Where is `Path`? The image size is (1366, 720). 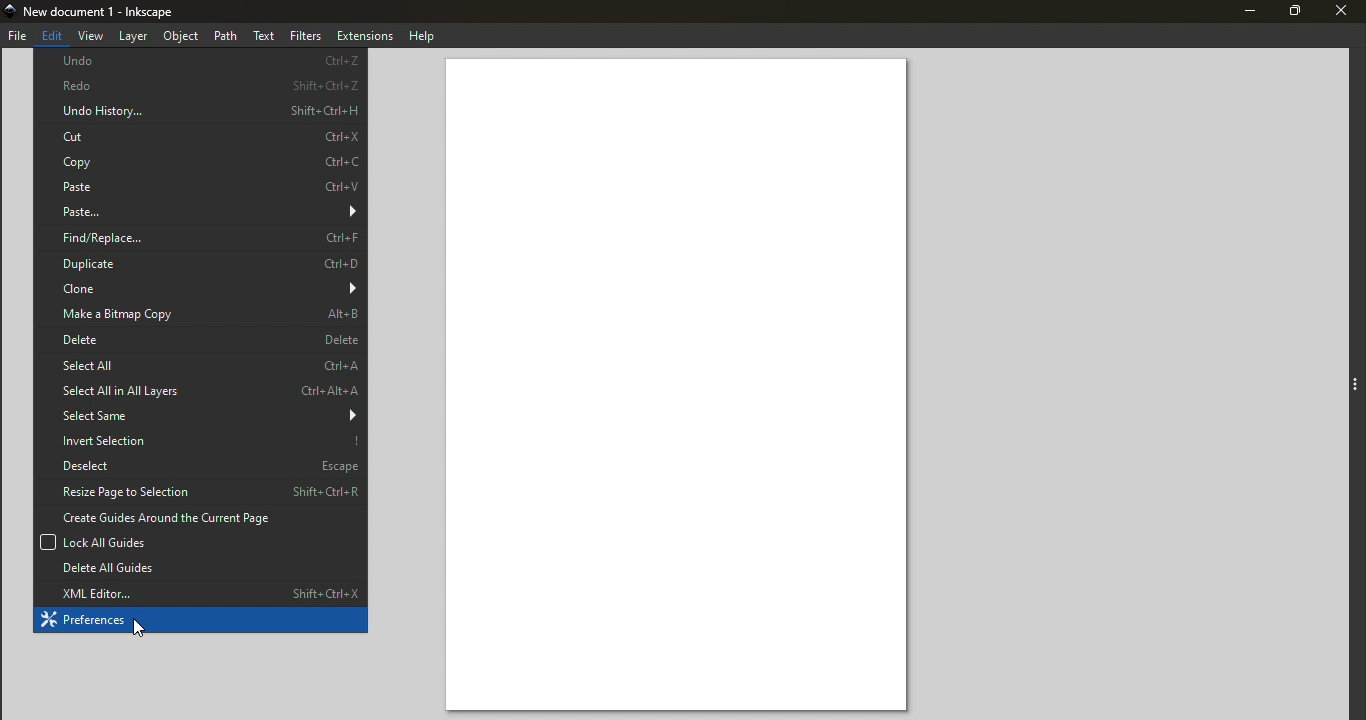
Path is located at coordinates (229, 34).